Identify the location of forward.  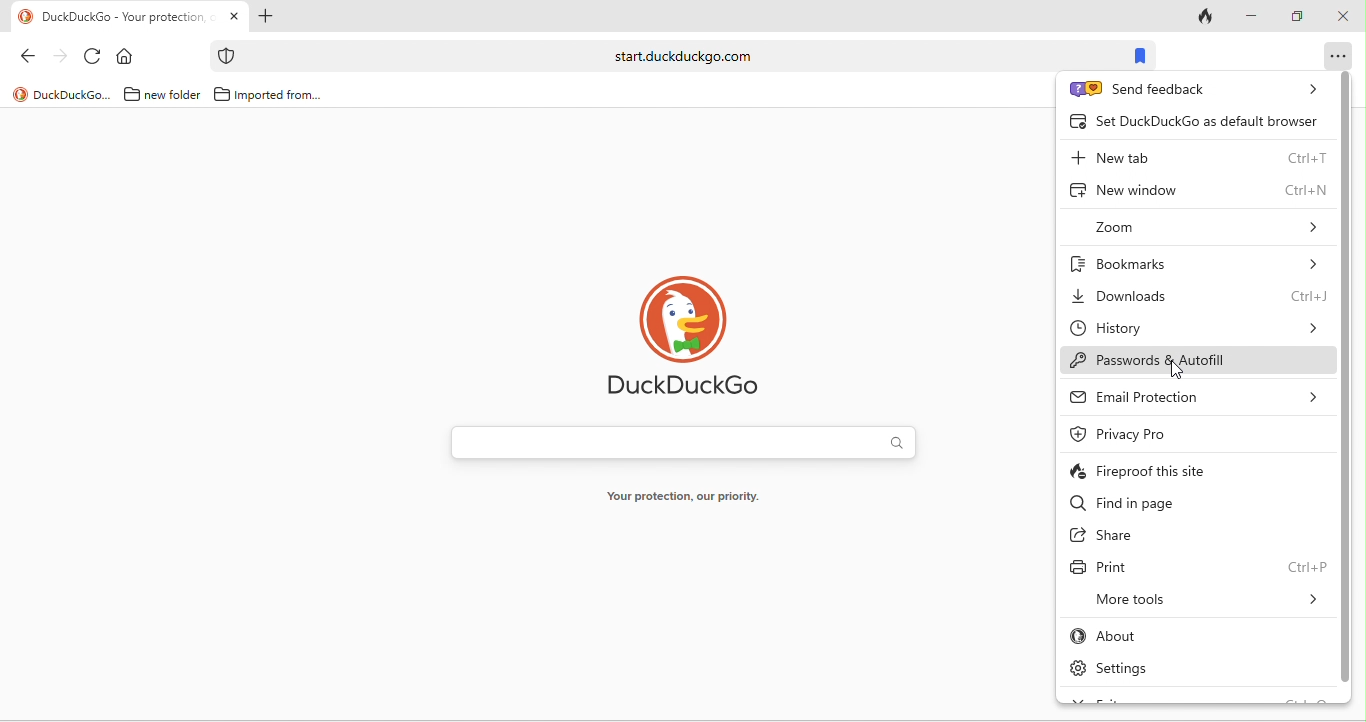
(62, 60).